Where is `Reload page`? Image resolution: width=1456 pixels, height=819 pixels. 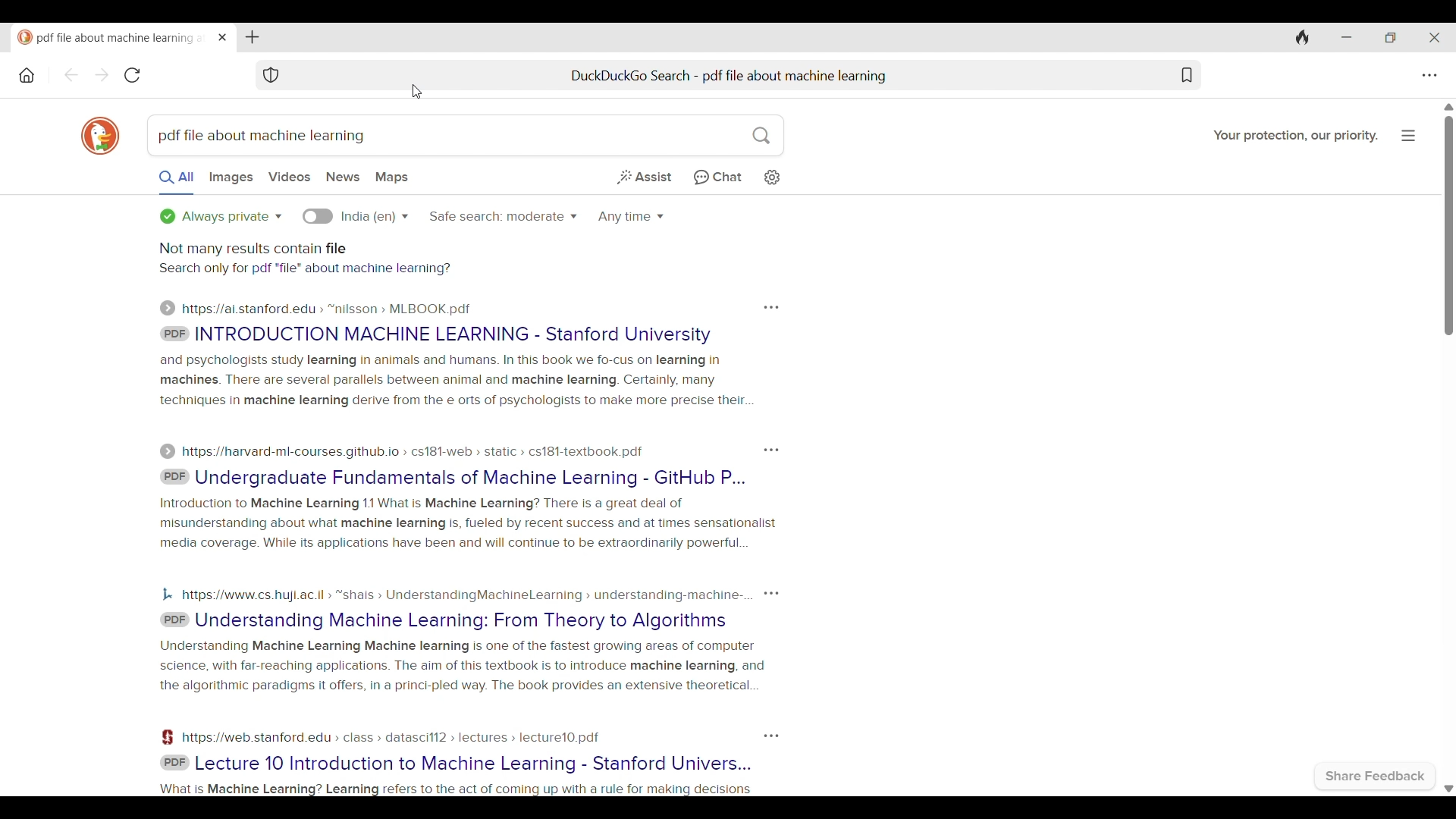 Reload page is located at coordinates (132, 75).